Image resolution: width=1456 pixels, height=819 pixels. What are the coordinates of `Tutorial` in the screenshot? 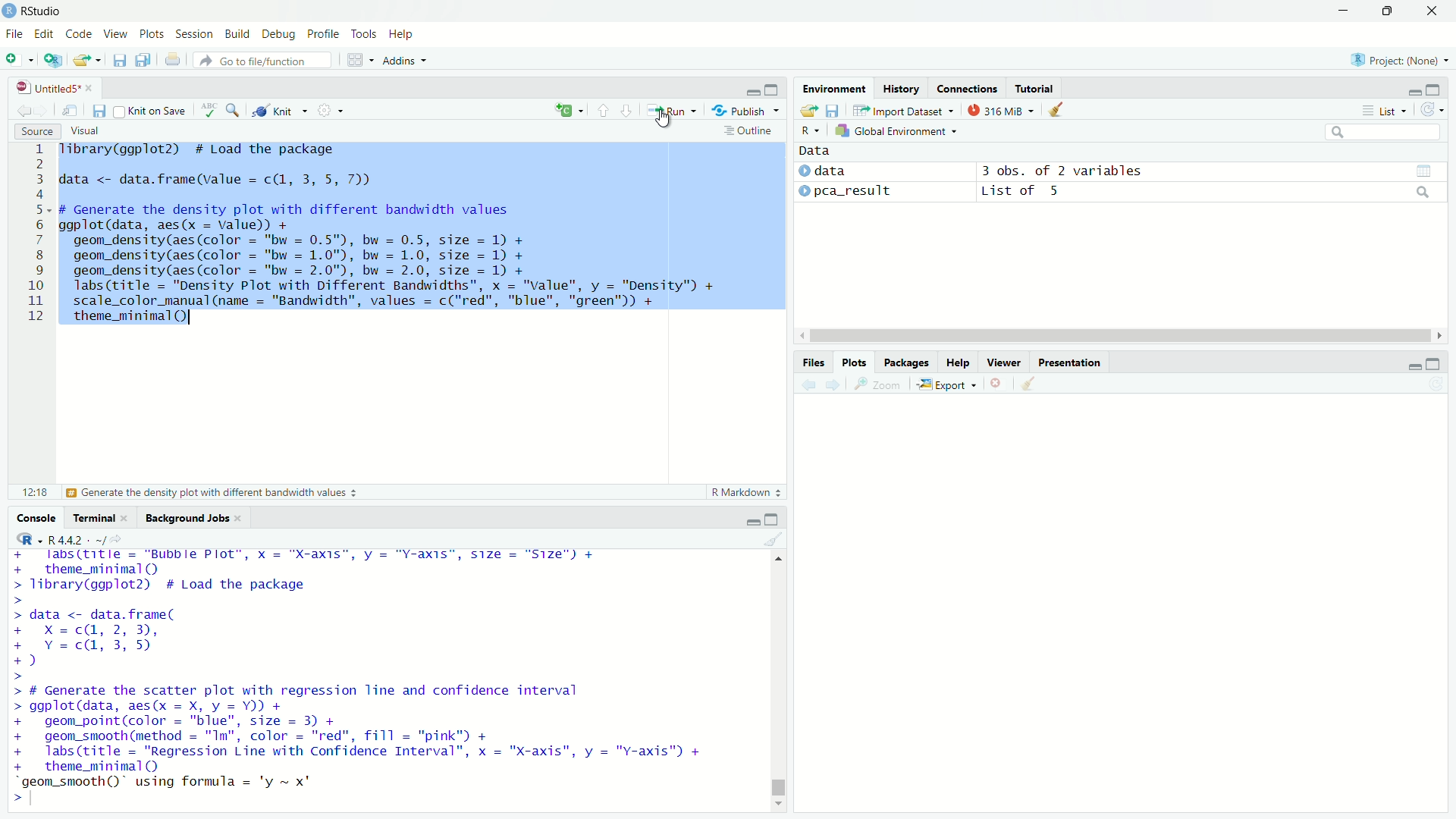 It's located at (1034, 88).